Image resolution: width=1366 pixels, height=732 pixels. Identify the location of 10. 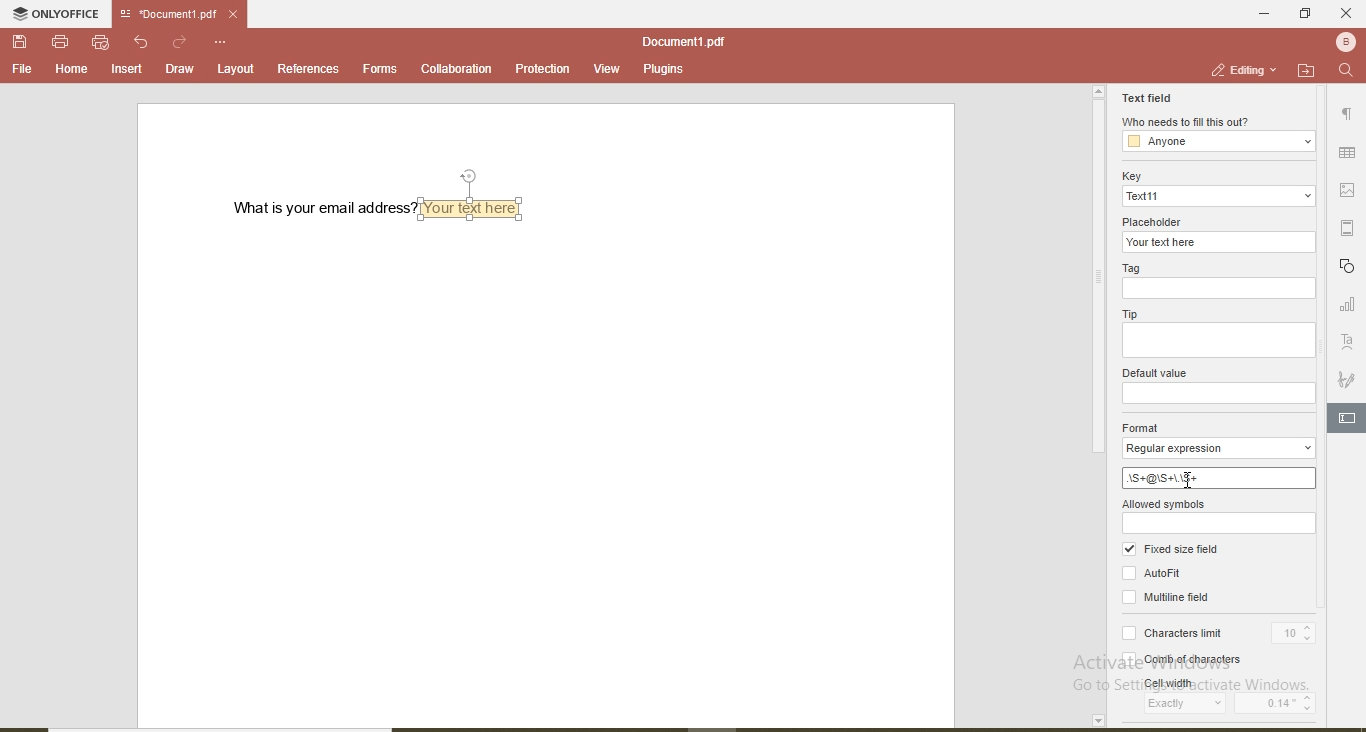
(1294, 630).